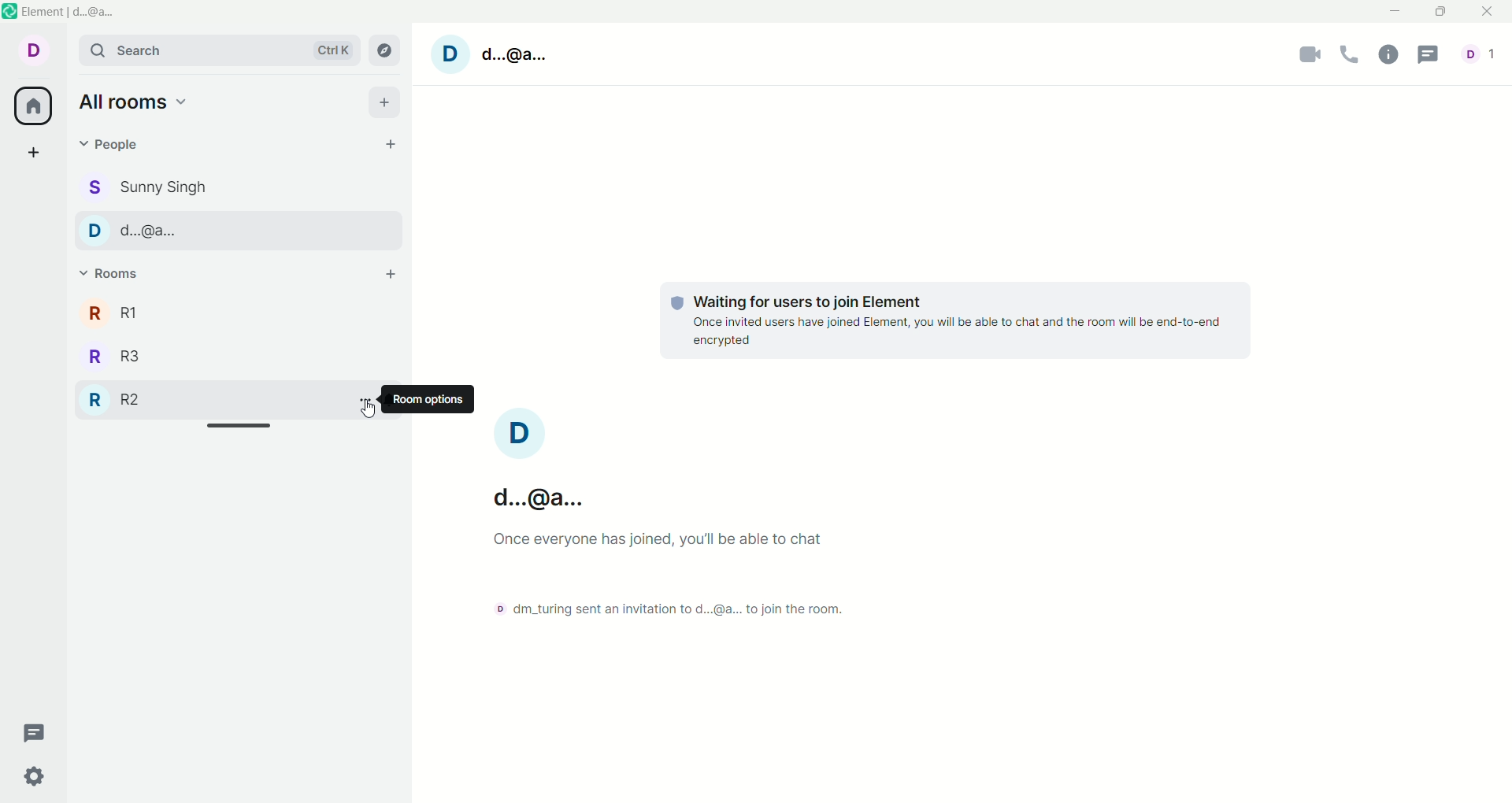 The height and width of the screenshot is (803, 1512). What do you see at coordinates (1442, 13) in the screenshot?
I see `maximize` at bounding box center [1442, 13].